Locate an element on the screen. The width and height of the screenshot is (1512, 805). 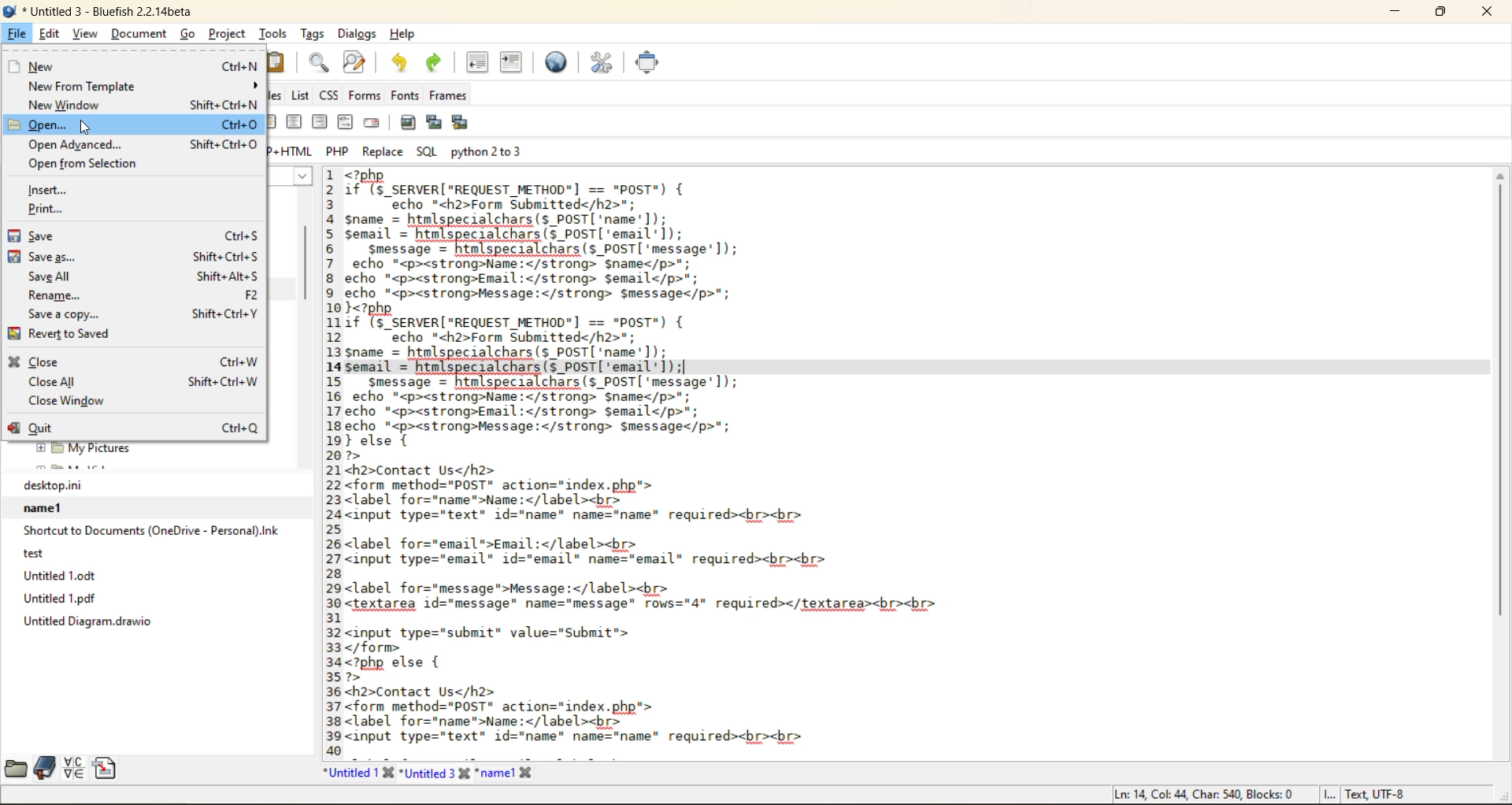
insert image is located at coordinates (410, 123).